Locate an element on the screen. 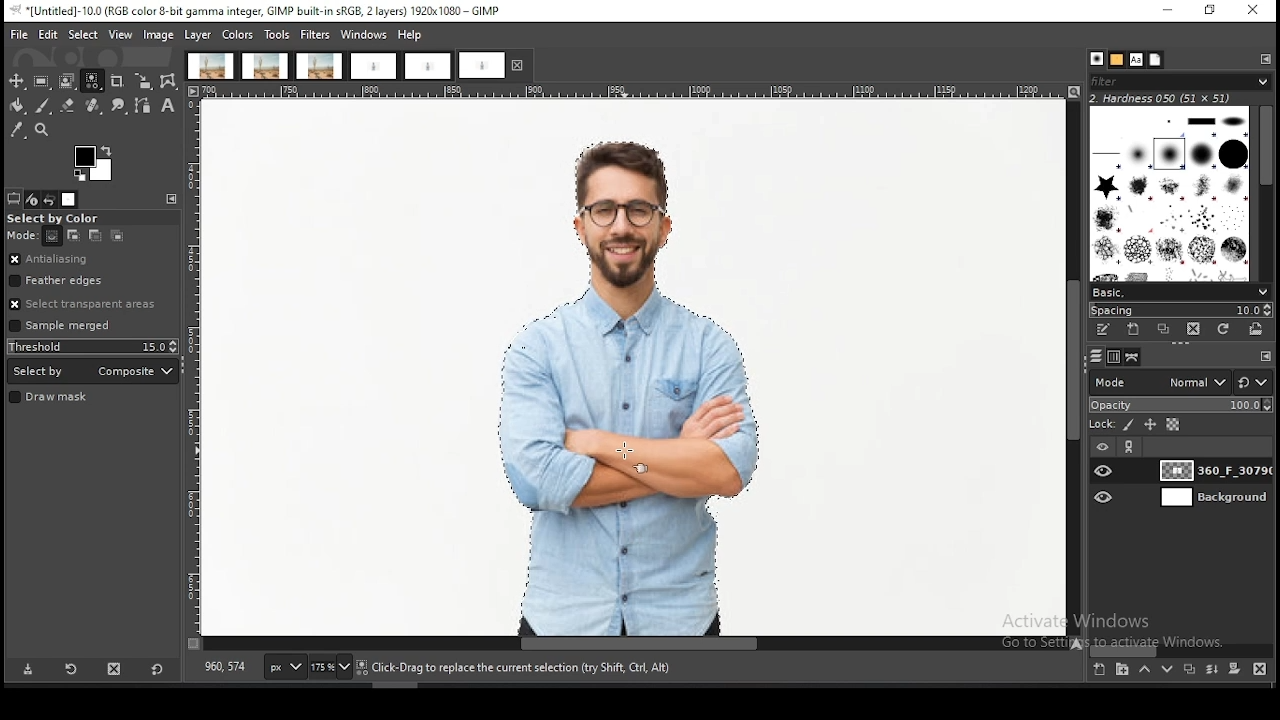  feather edges is located at coordinates (94, 280).